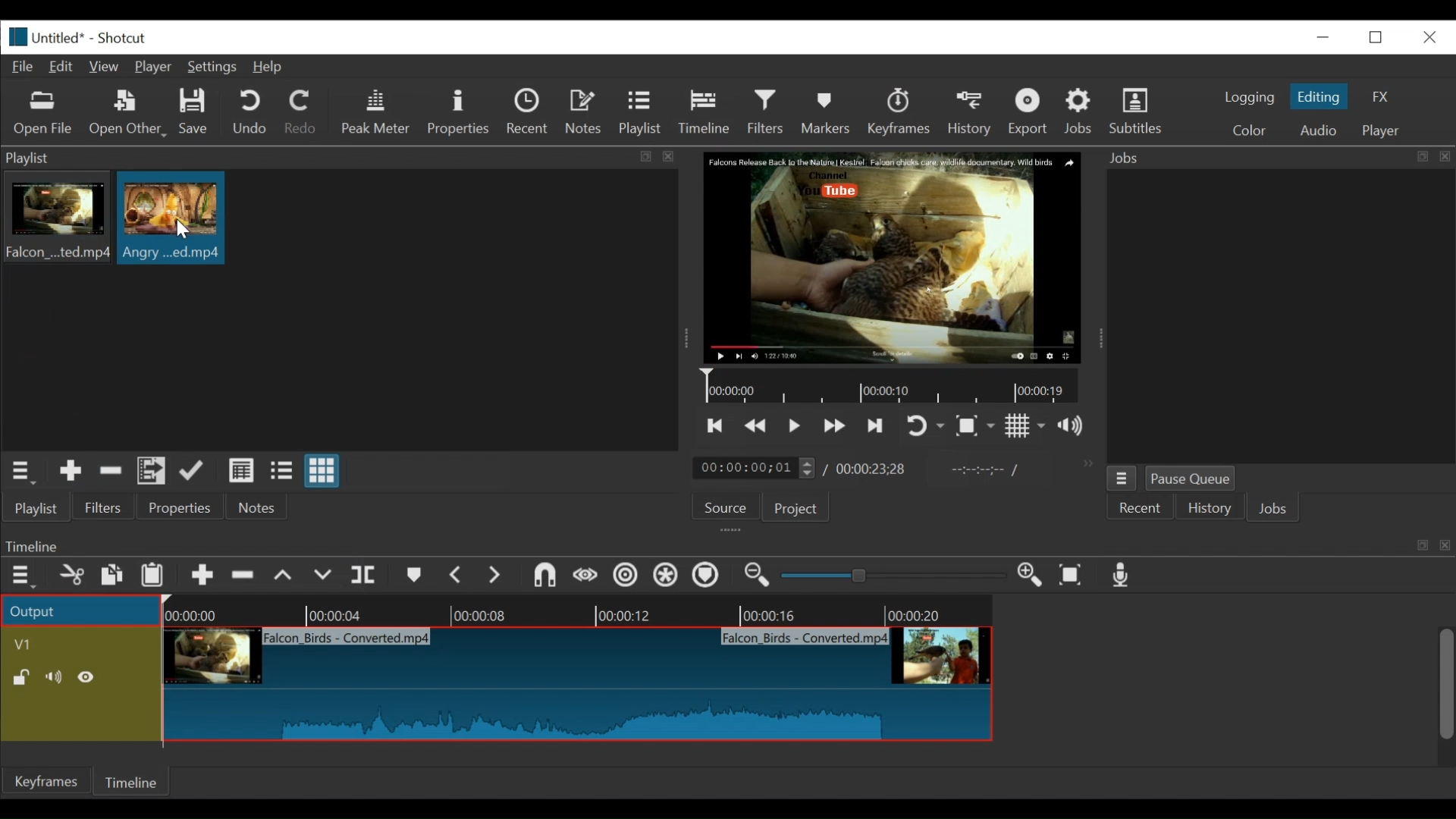 The image size is (1456, 819). I want to click on Pause Queue, so click(1191, 482).